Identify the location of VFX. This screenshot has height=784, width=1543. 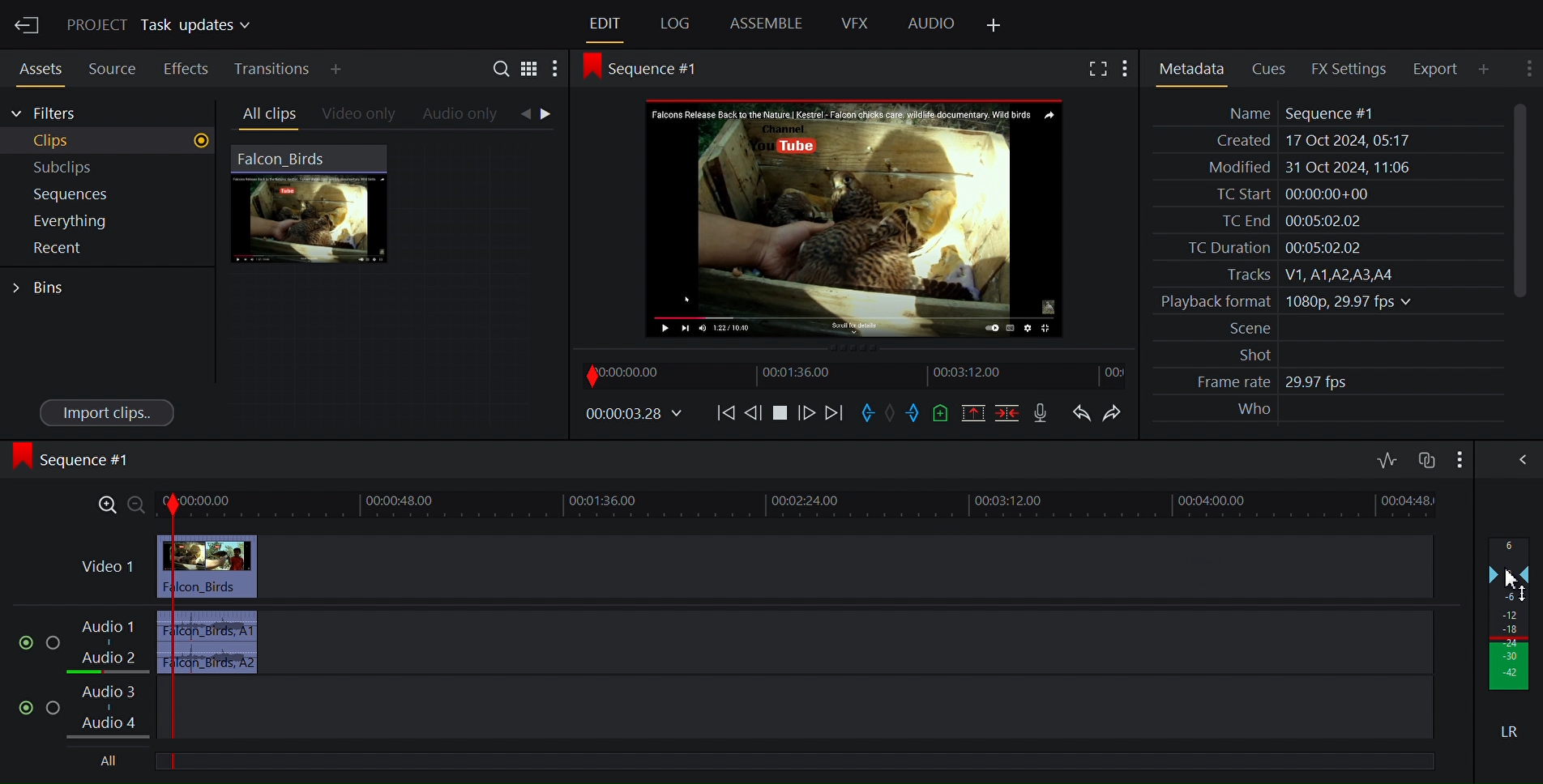
(855, 24).